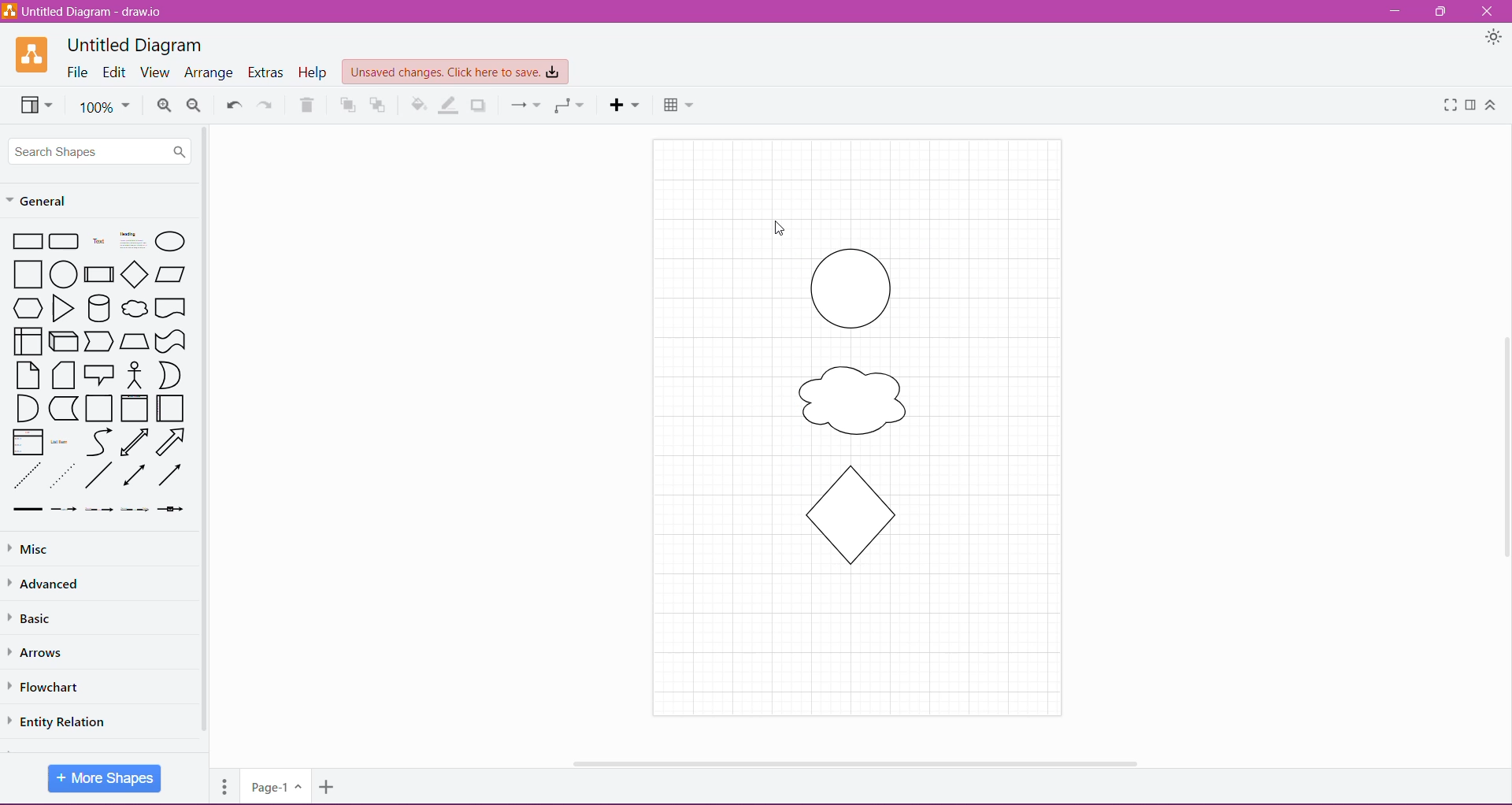 This screenshot has width=1512, height=805. Describe the element at coordinates (154, 72) in the screenshot. I see `View` at that location.